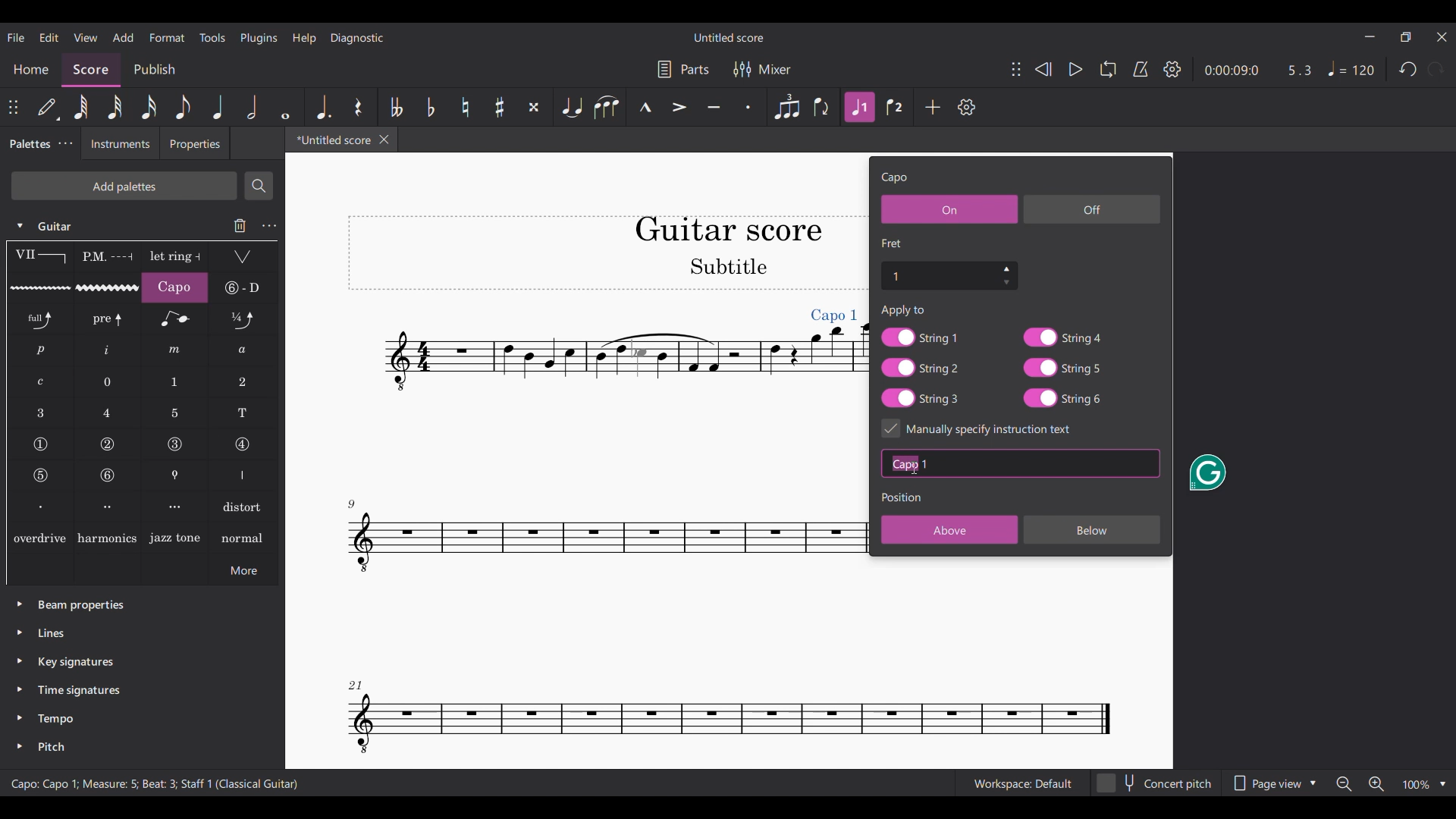 The height and width of the screenshot is (819, 1456). What do you see at coordinates (570, 107) in the screenshot?
I see `Tie` at bounding box center [570, 107].